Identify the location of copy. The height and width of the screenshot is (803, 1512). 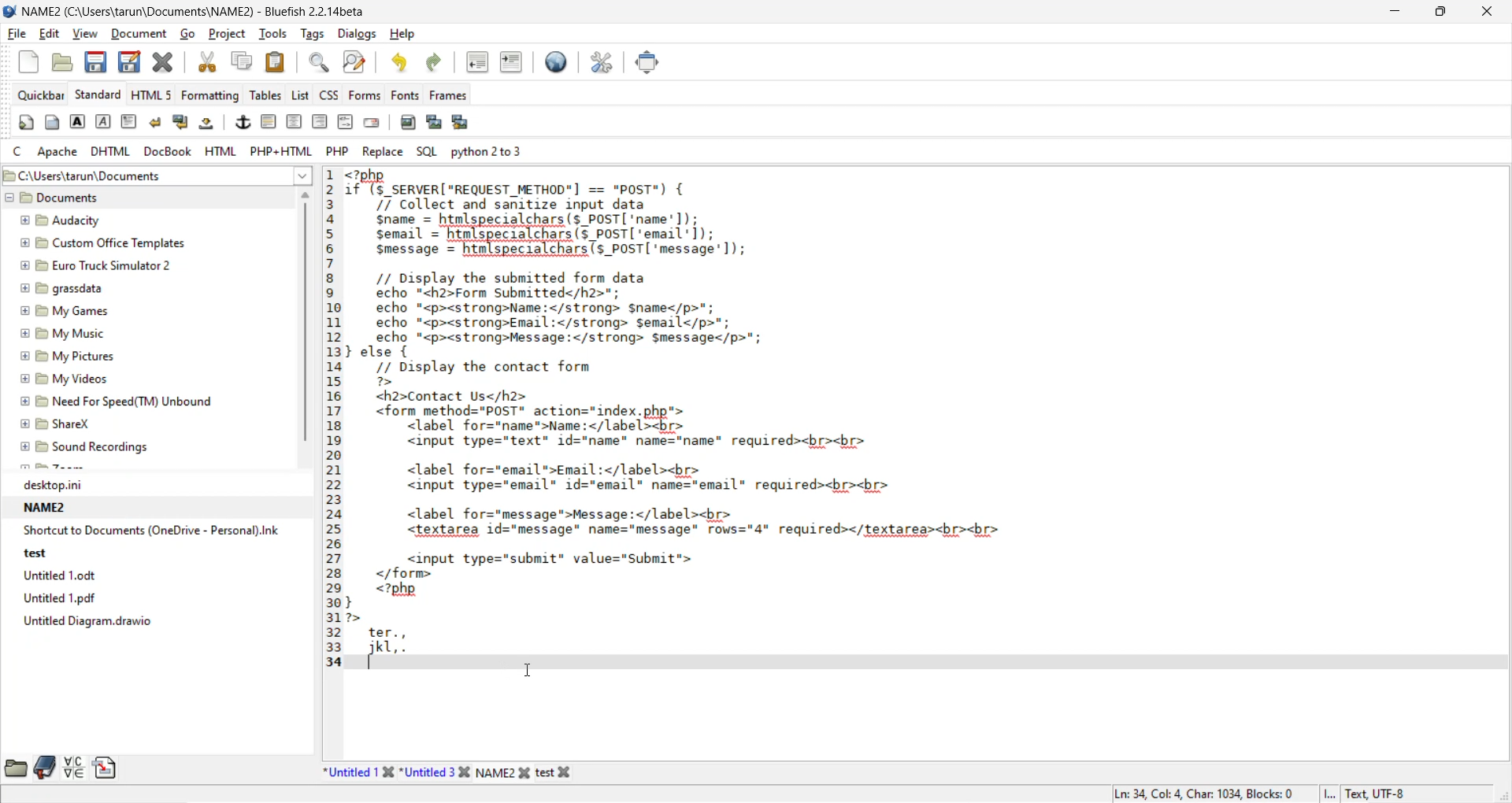
(244, 61).